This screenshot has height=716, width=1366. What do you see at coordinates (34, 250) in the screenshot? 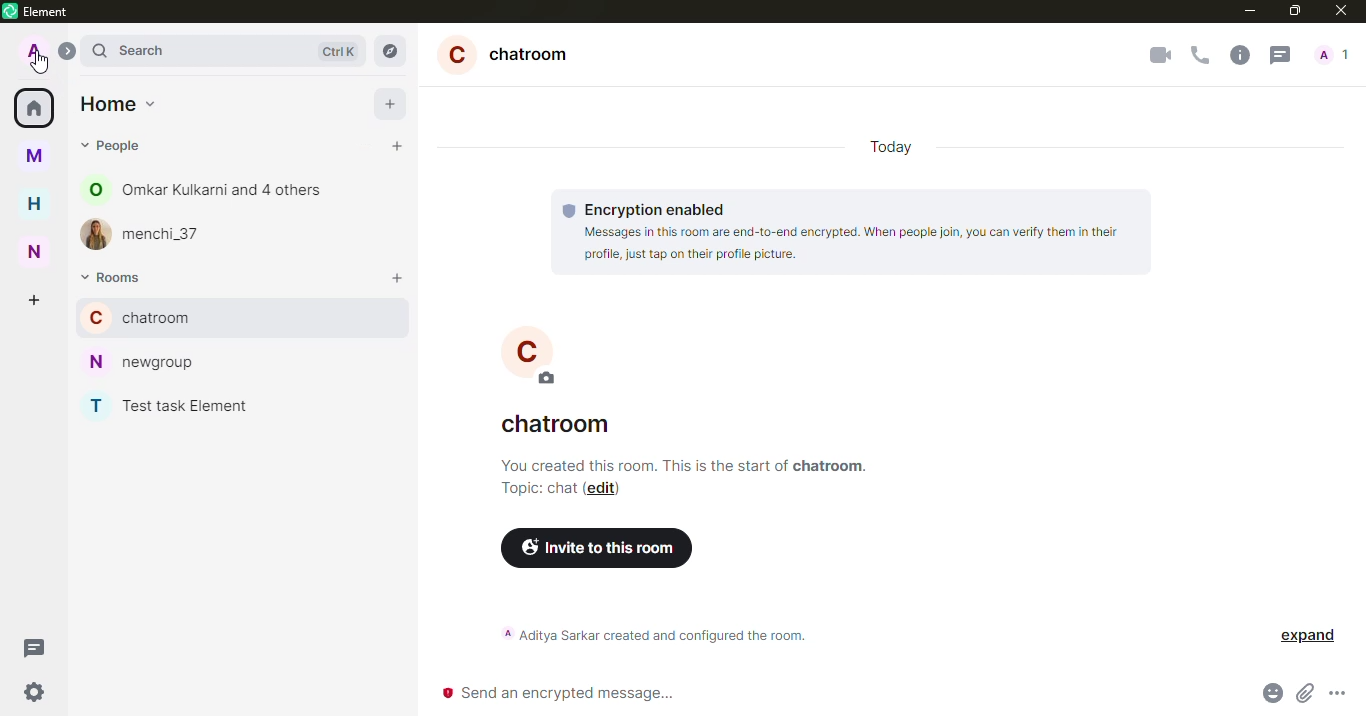
I see `n` at bounding box center [34, 250].